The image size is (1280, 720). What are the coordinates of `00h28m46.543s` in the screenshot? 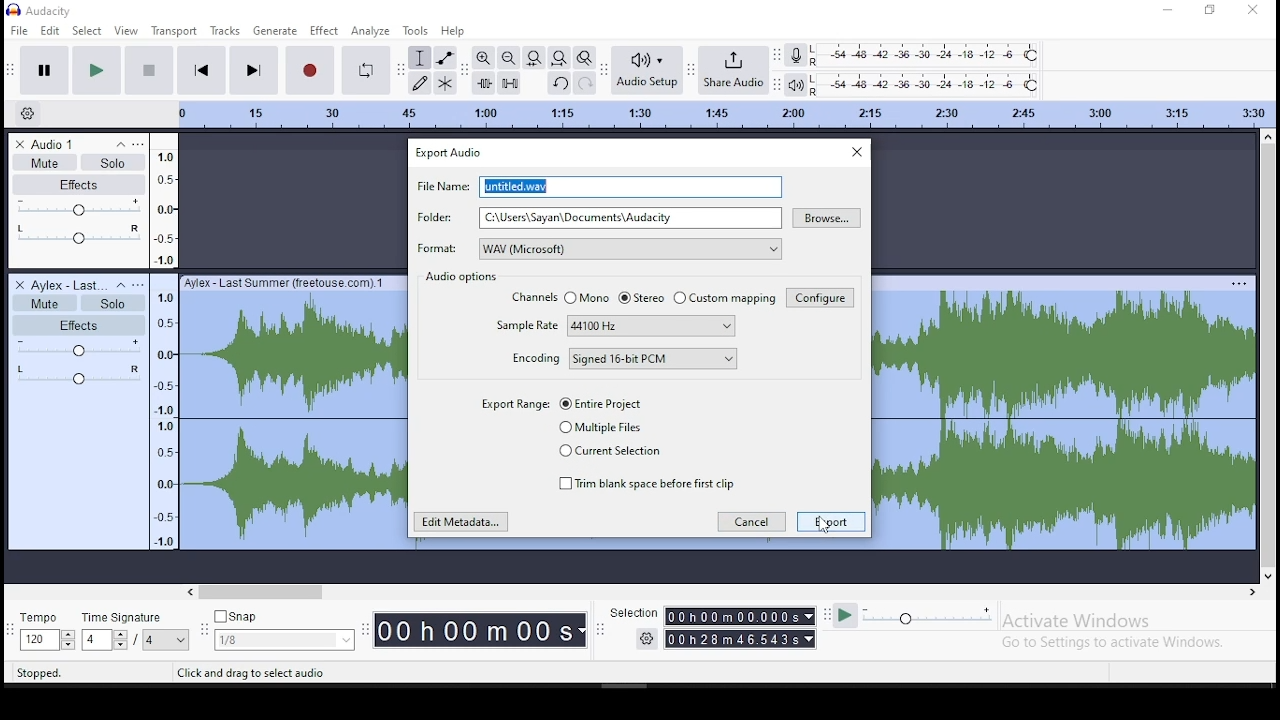 It's located at (740, 640).